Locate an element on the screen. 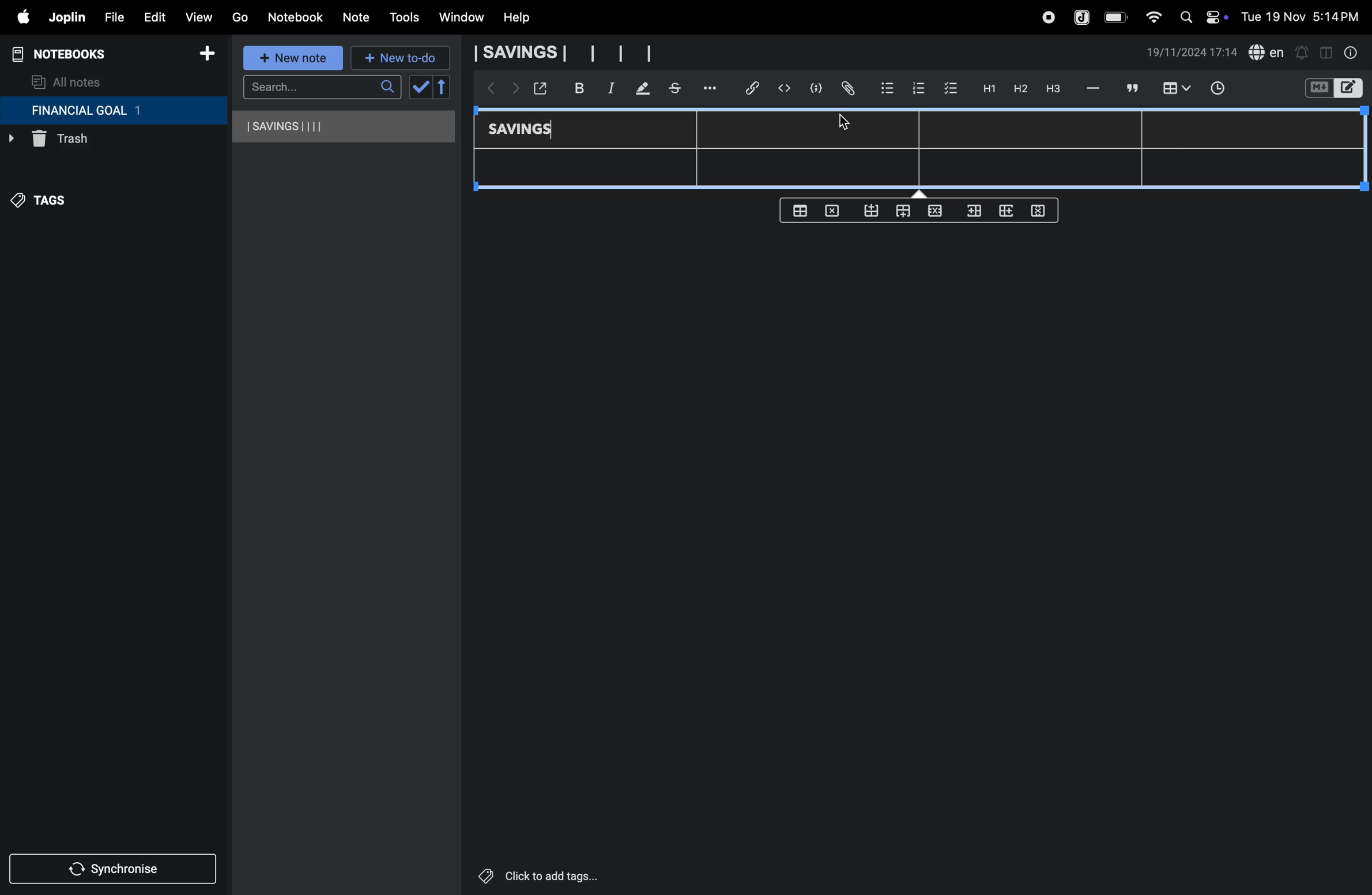  wifi is located at coordinates (1150, 17).